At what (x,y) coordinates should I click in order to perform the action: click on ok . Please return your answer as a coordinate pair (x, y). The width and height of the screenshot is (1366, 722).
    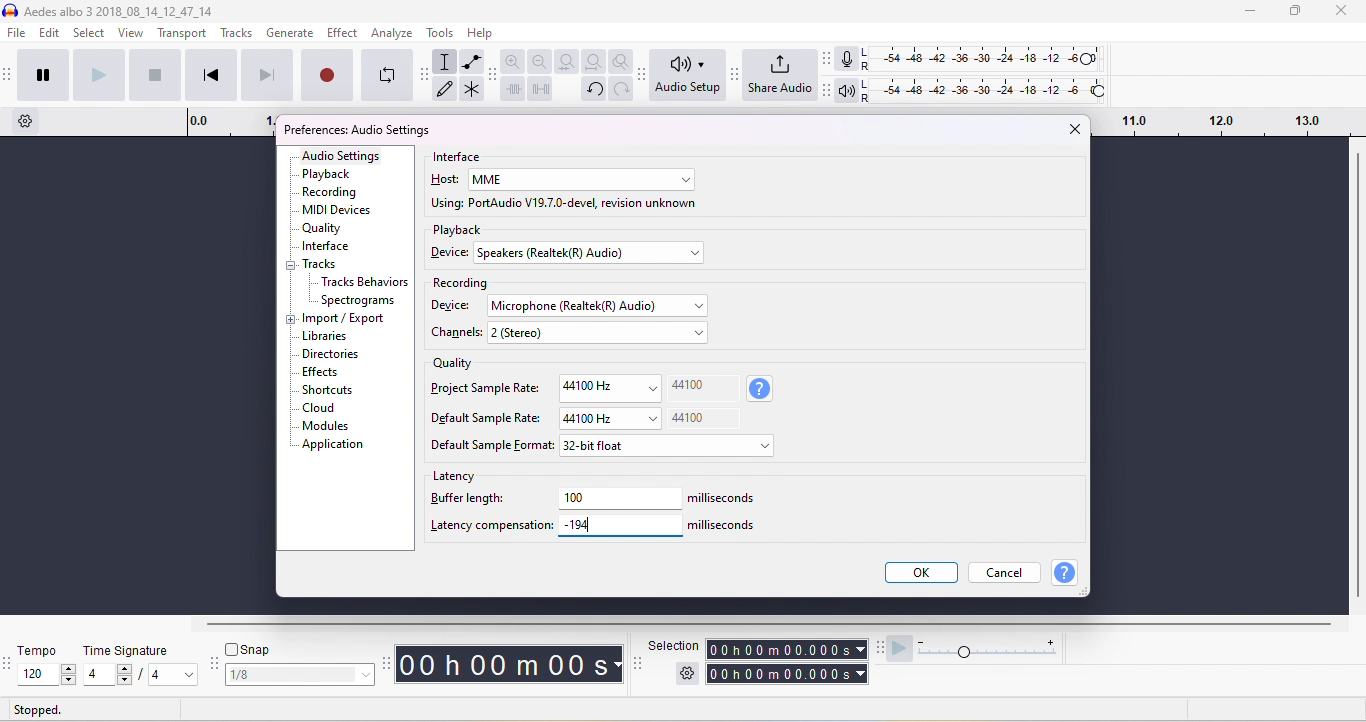
    Looking at the image, I should click on (919, 572).